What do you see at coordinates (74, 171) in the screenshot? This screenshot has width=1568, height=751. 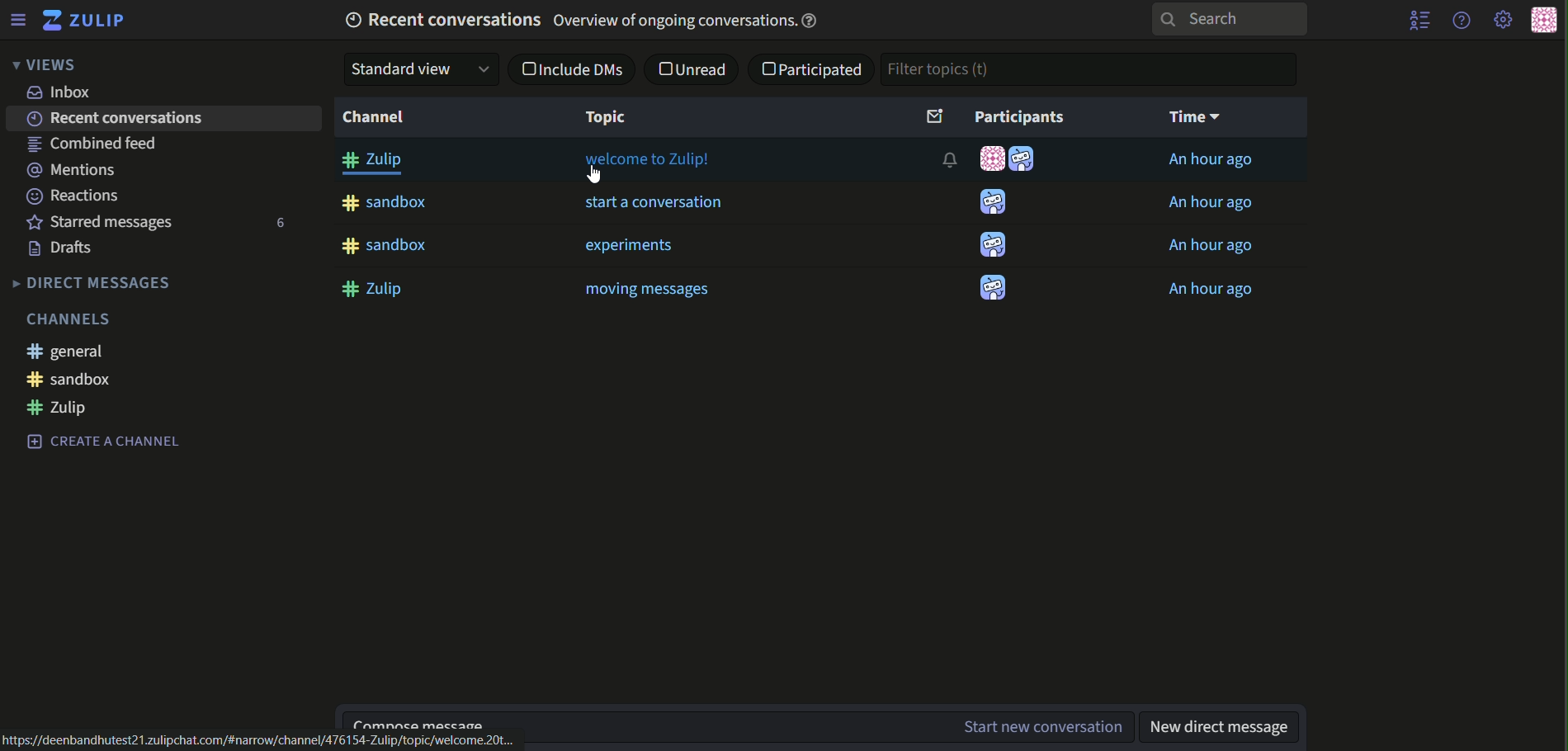 I see `text` at bounding box center [74, 171].